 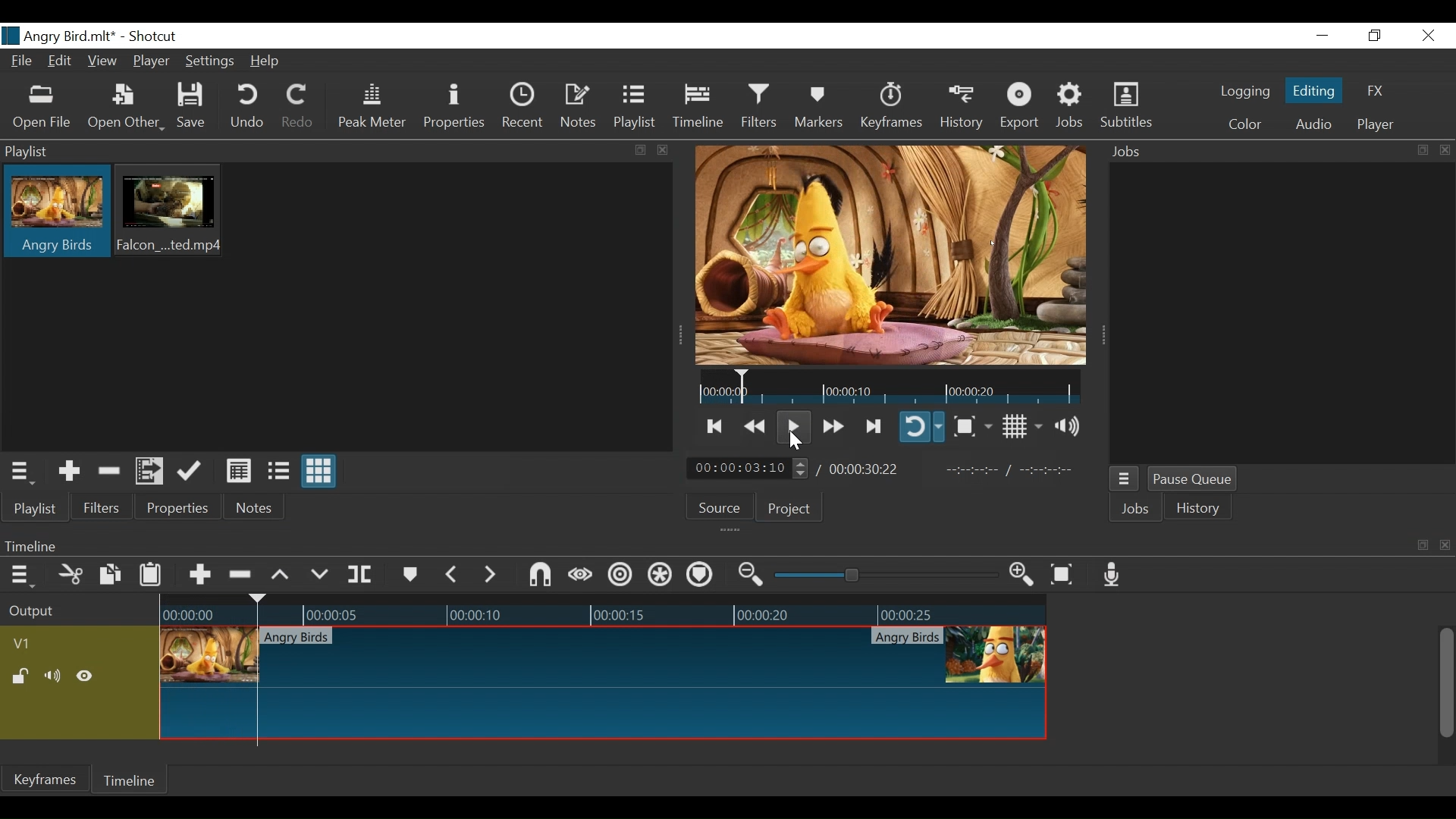 I want to click on Subtitles, so click(x=1128, y=107).